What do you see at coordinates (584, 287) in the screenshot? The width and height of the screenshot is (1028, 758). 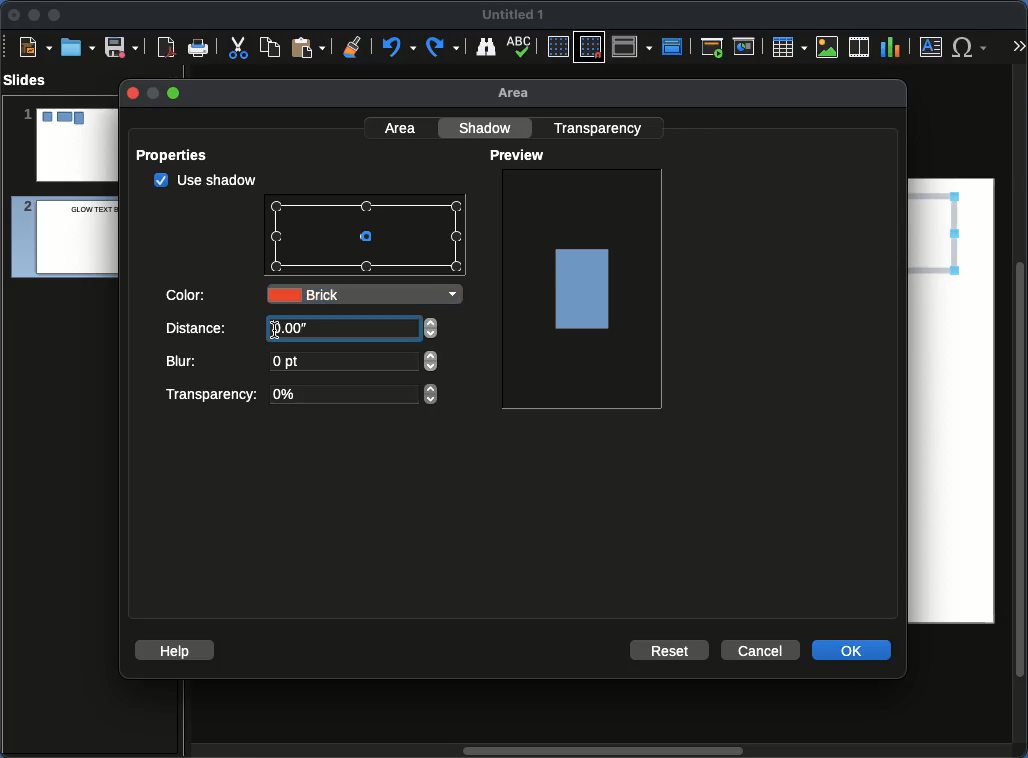 I see `Image` at bounding box center [584, 287].